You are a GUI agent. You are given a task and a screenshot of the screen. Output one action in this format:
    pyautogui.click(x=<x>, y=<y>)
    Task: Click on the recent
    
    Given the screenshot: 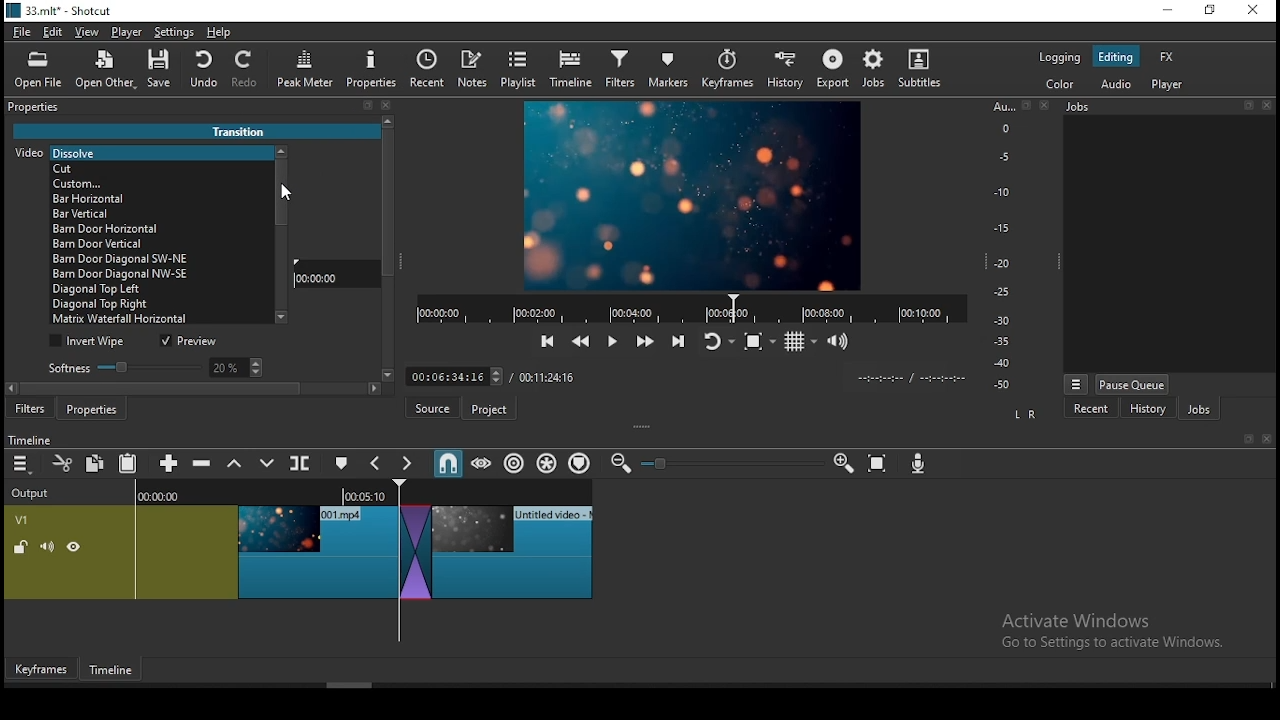 What is the action you would take?
    pyautogui.click(x=1091, y=408)
    